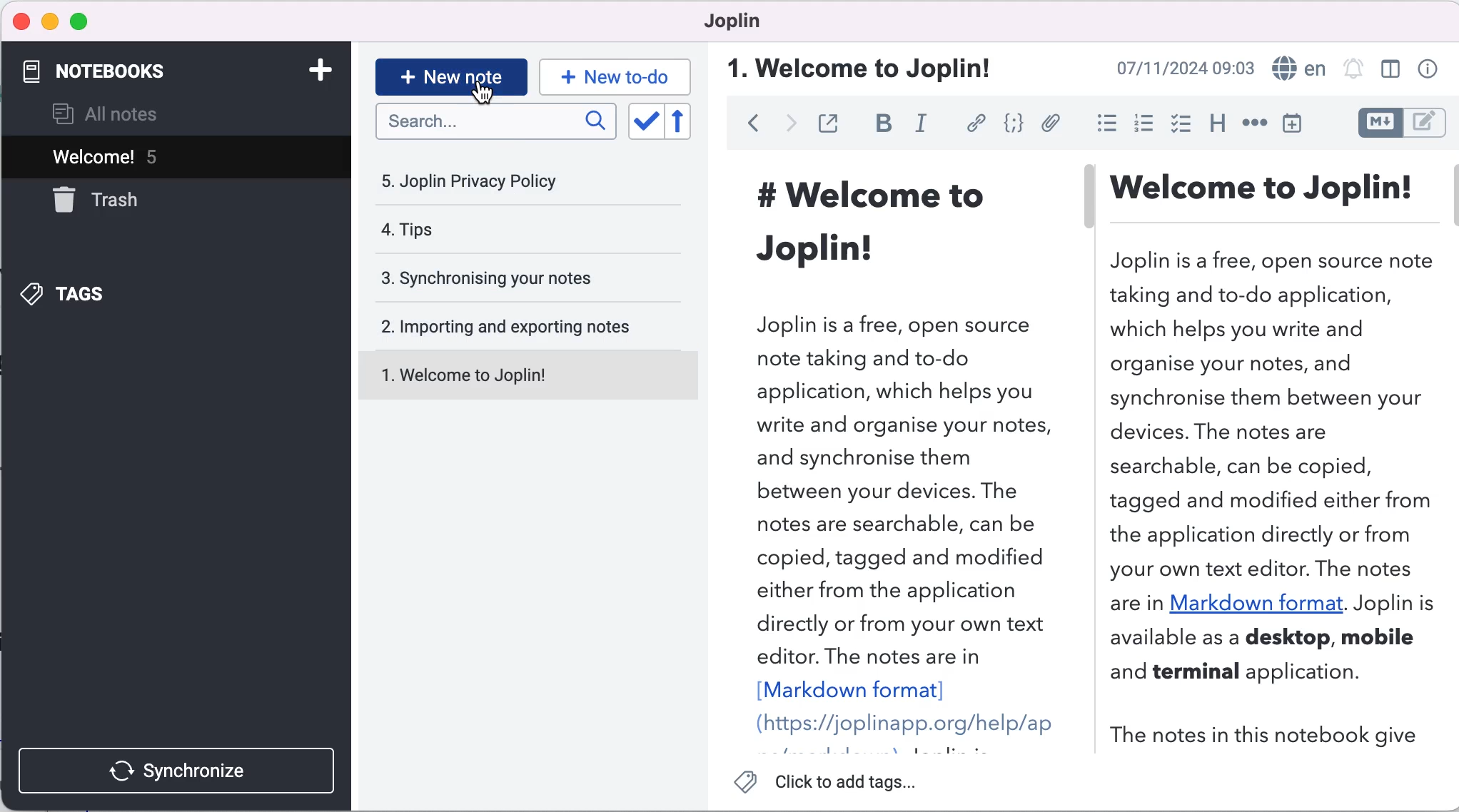 The image size is (1459, 812). I want to click on reverse sort order, so click(690, 122).